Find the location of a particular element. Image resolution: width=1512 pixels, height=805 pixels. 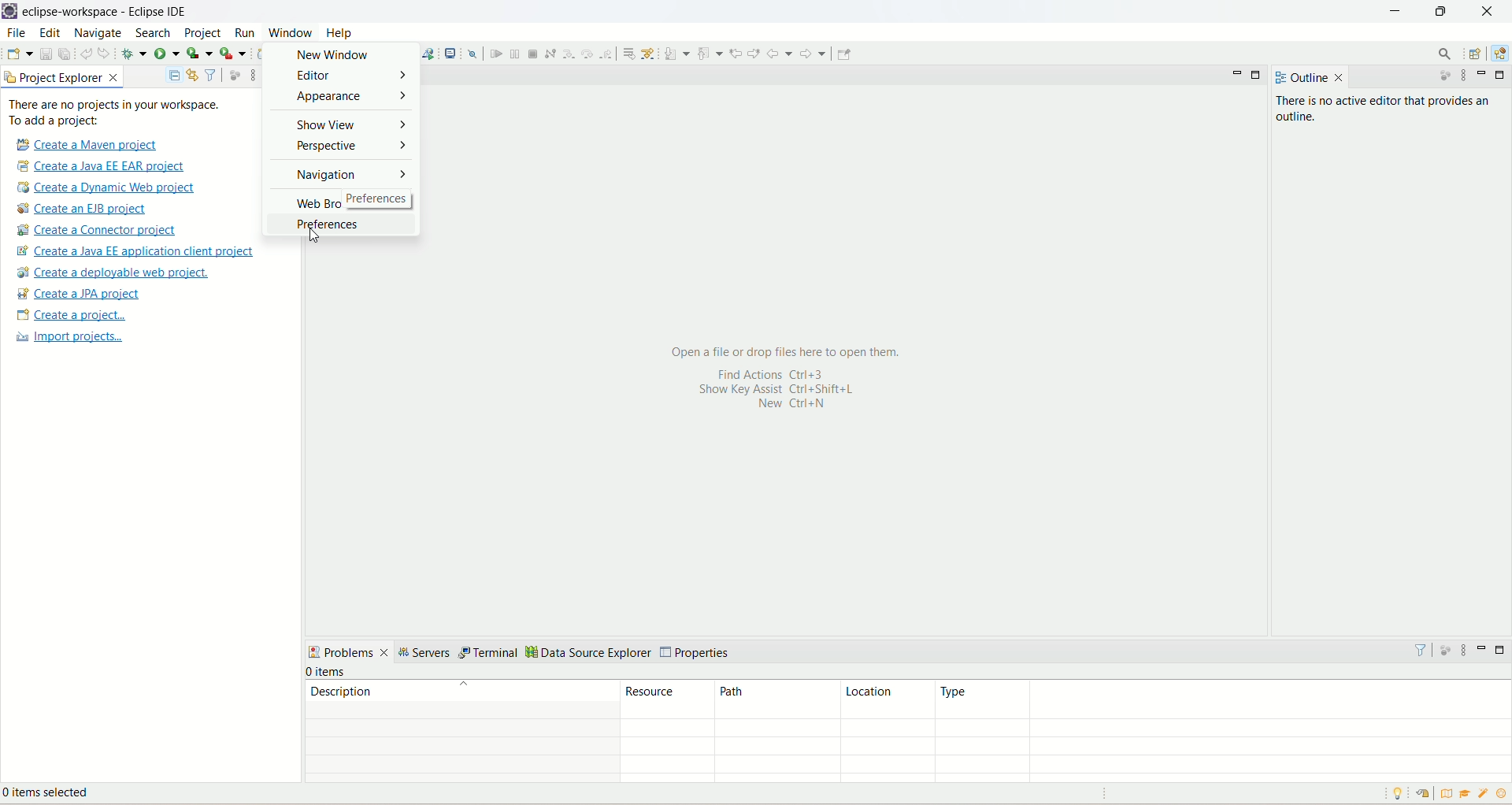

create JPA project is located at coordinates (80, 294).